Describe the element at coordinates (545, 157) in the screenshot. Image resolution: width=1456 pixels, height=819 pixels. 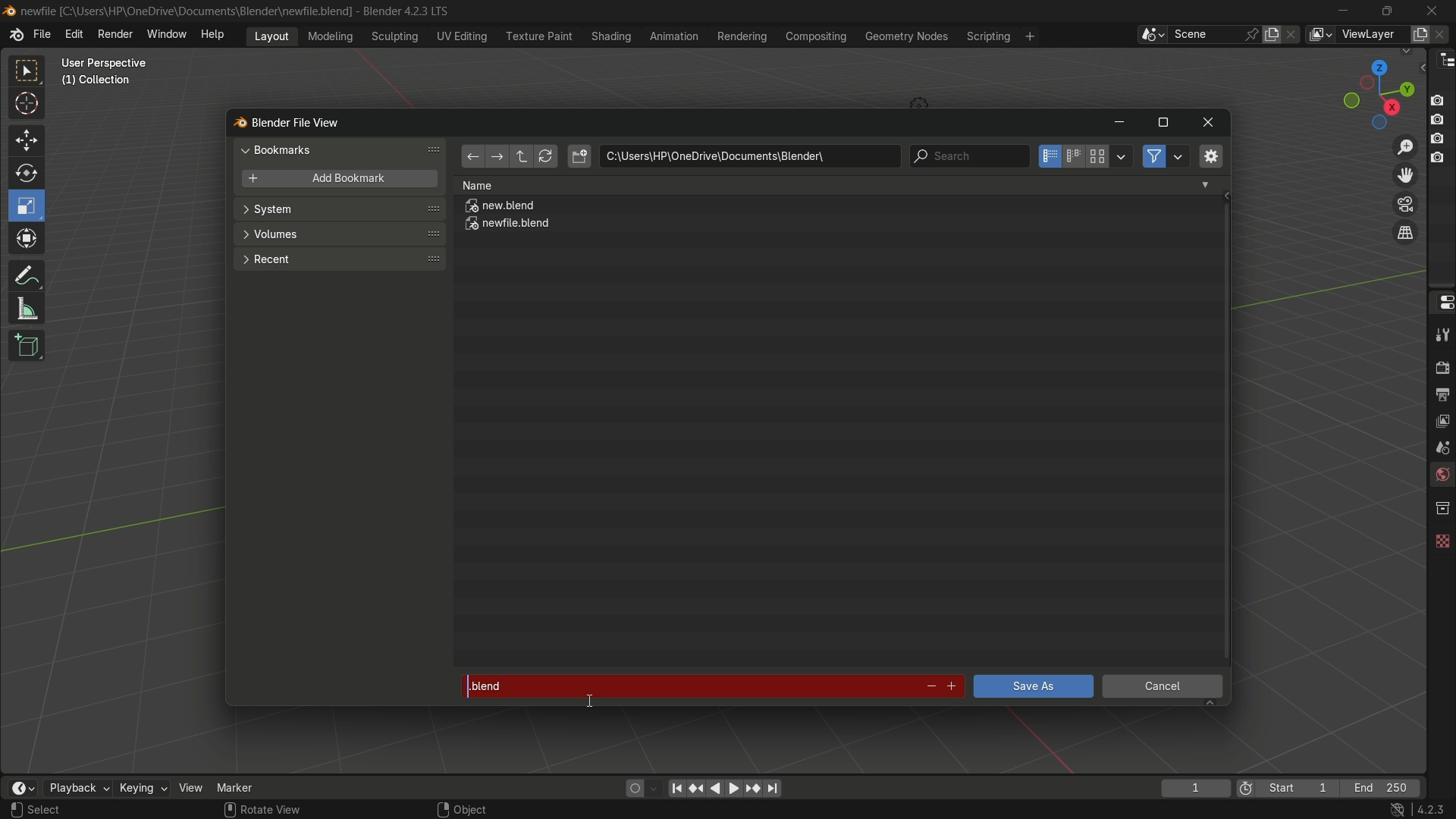
I see `refresh` at that location.